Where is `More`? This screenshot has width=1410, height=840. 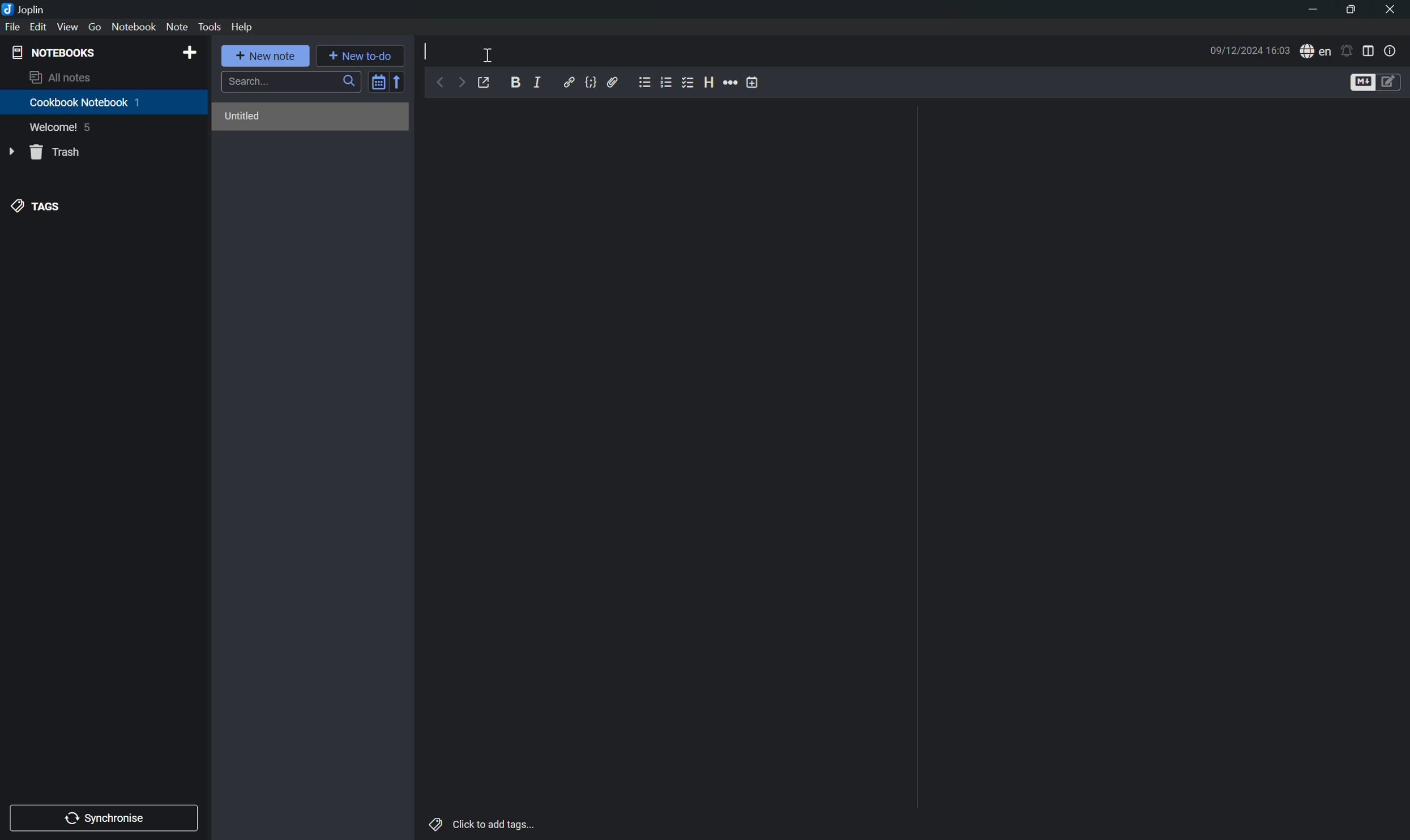 More is located at coordinates (730, 82).